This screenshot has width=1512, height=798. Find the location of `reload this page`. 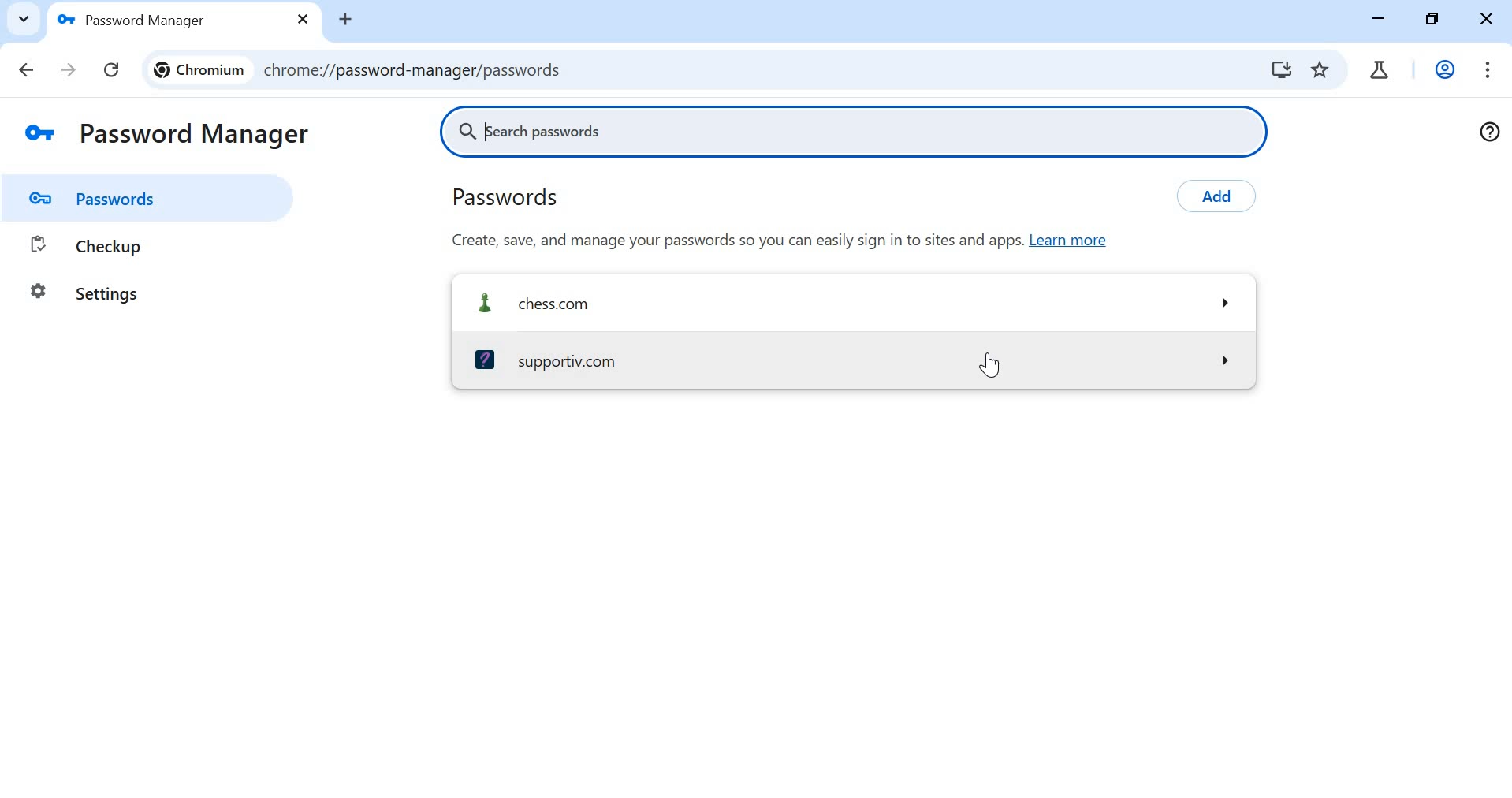

reload this page is located at coordinates (110, 68).